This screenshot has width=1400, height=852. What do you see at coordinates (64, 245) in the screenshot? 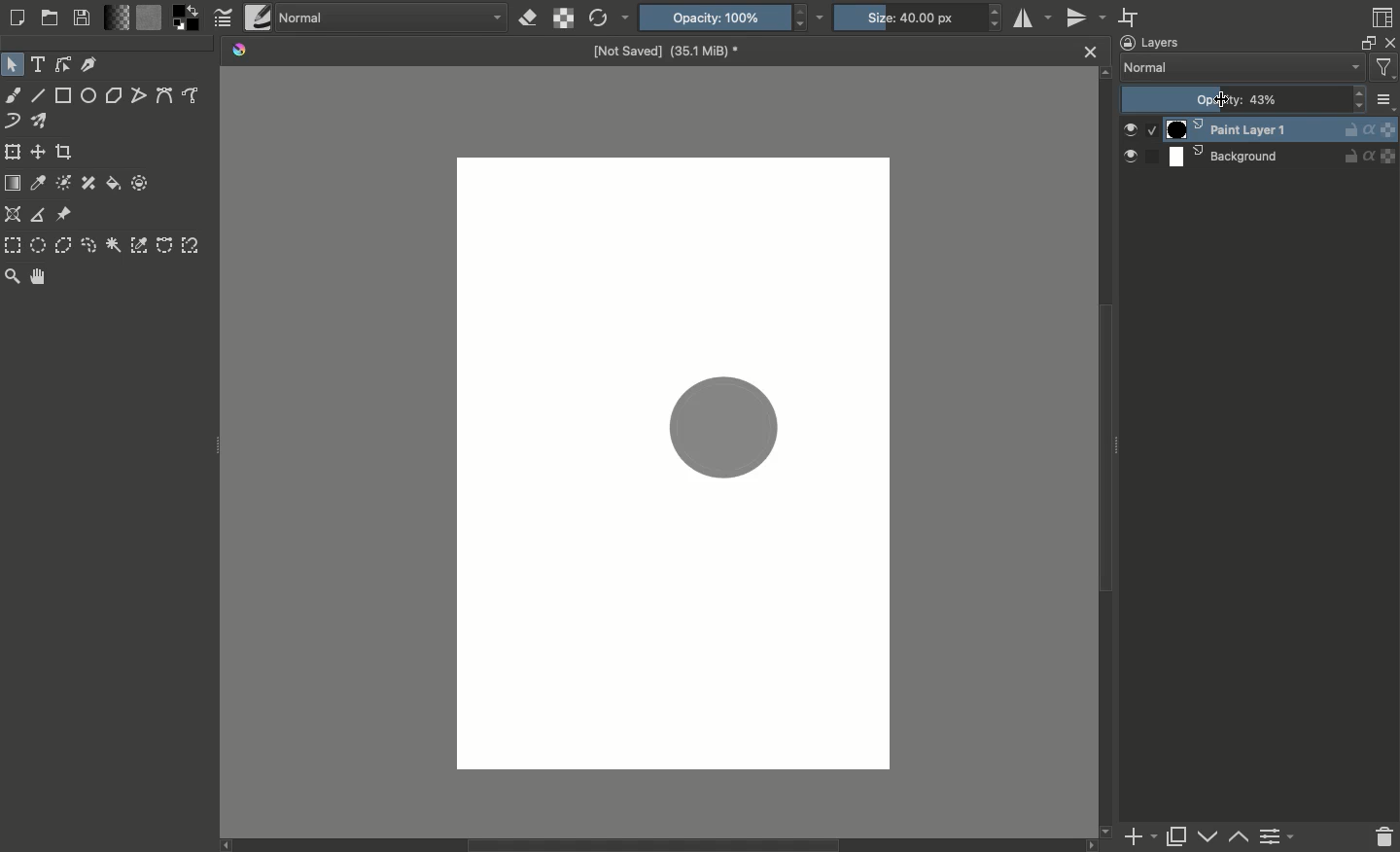
I see `Polygonal selection tool` at bounding box center [64, 245].